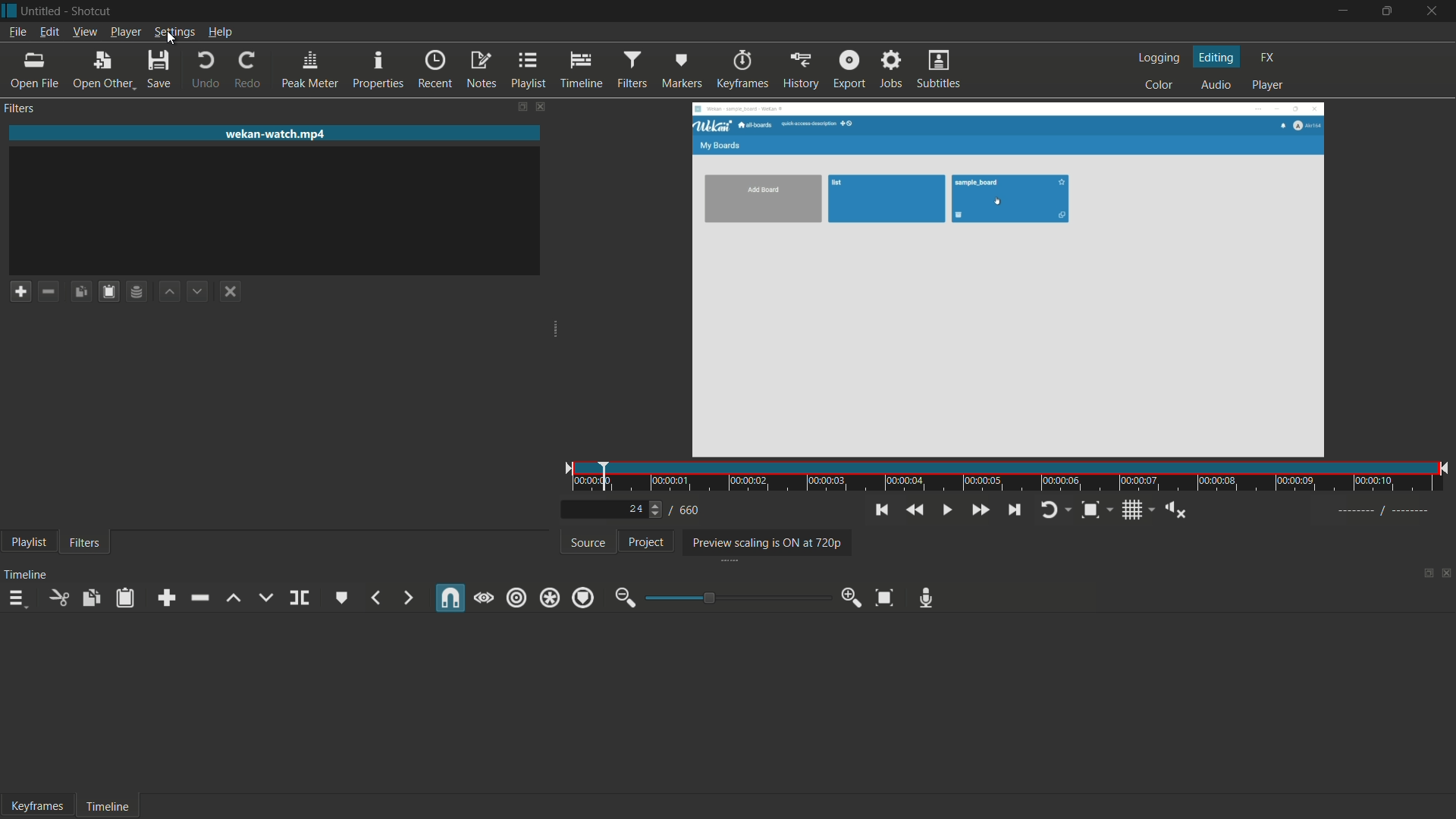 The image size is (1456, 819). Describe the element at coordinates (233, 598) in the screenshot. I see `lift` at that location.